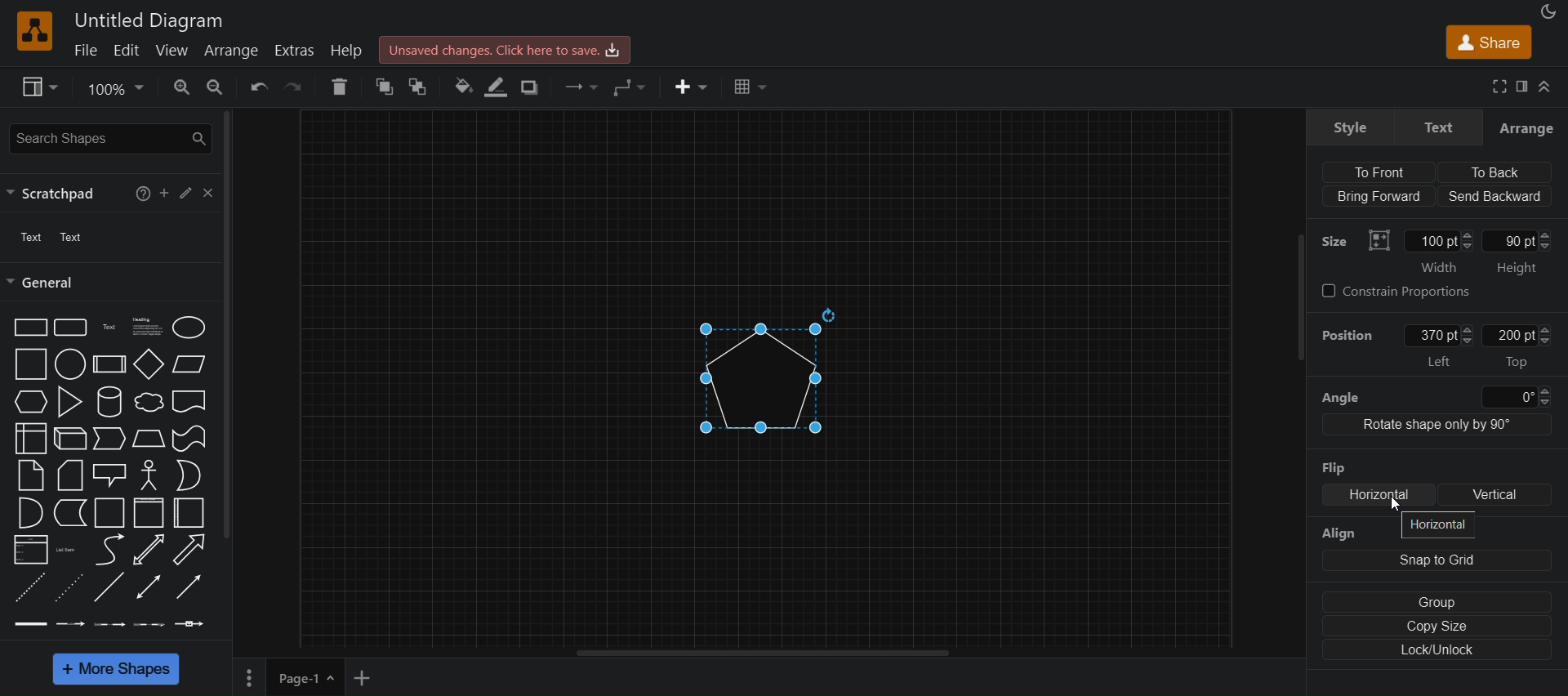 The height and width of the screenshot is (696, 1568). Describe the element at coordinates (1544, 396) in the screenshot. I see `Increase/Decrease angle` at that location.